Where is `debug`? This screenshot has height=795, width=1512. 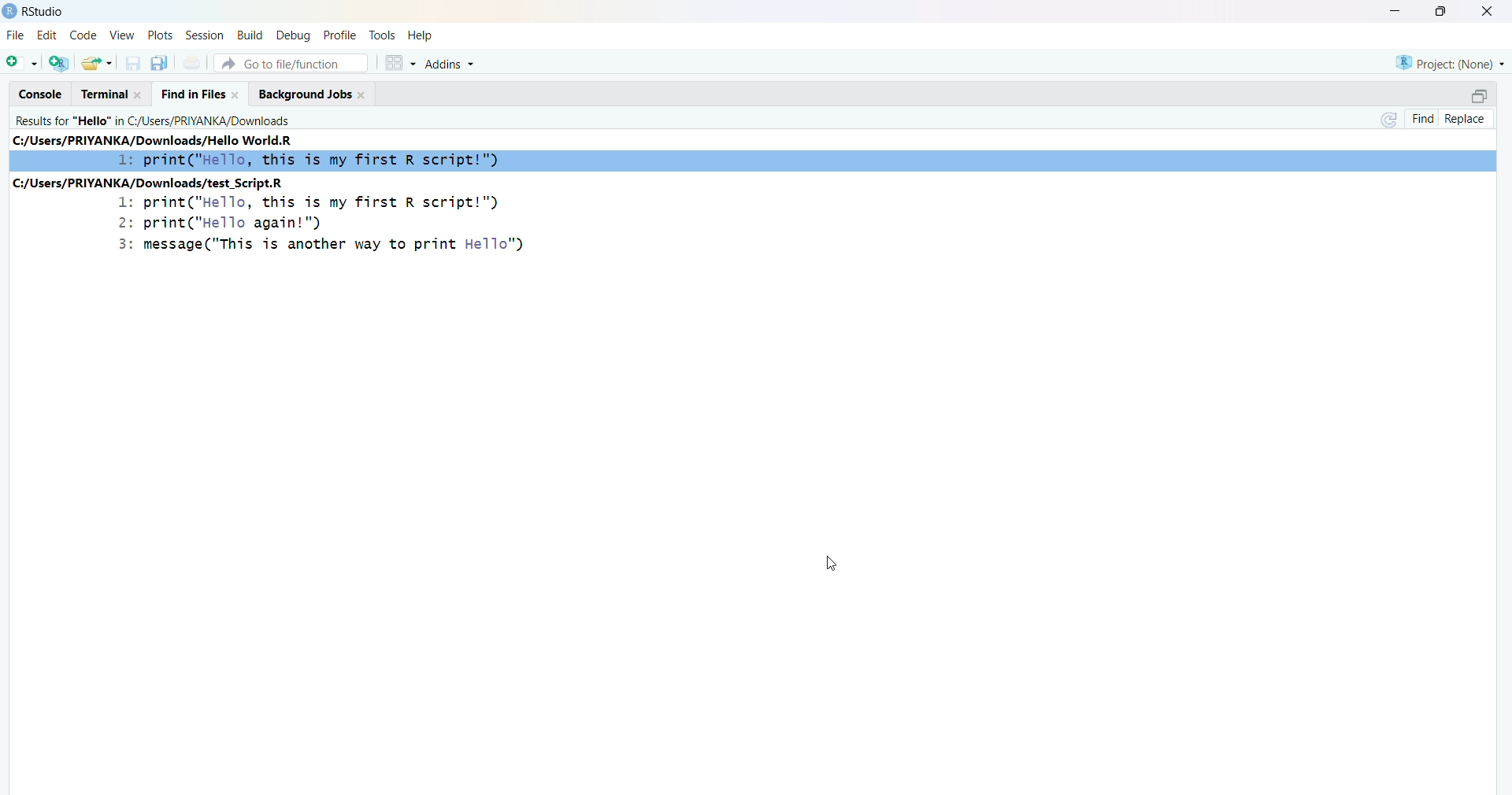
debug is located at coordinates (295, 35).